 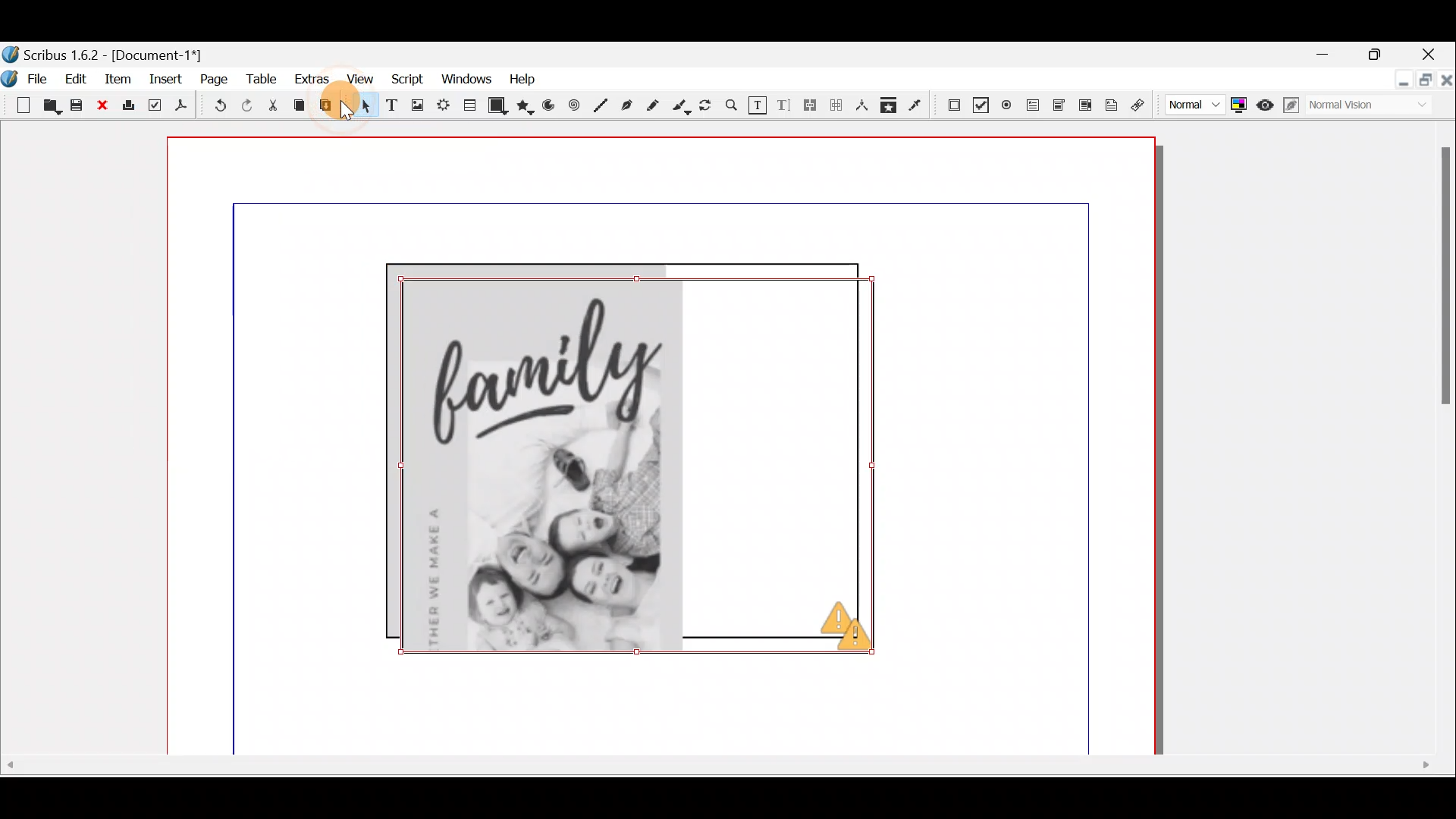 I want to click on New, so click(x=17, y=104).